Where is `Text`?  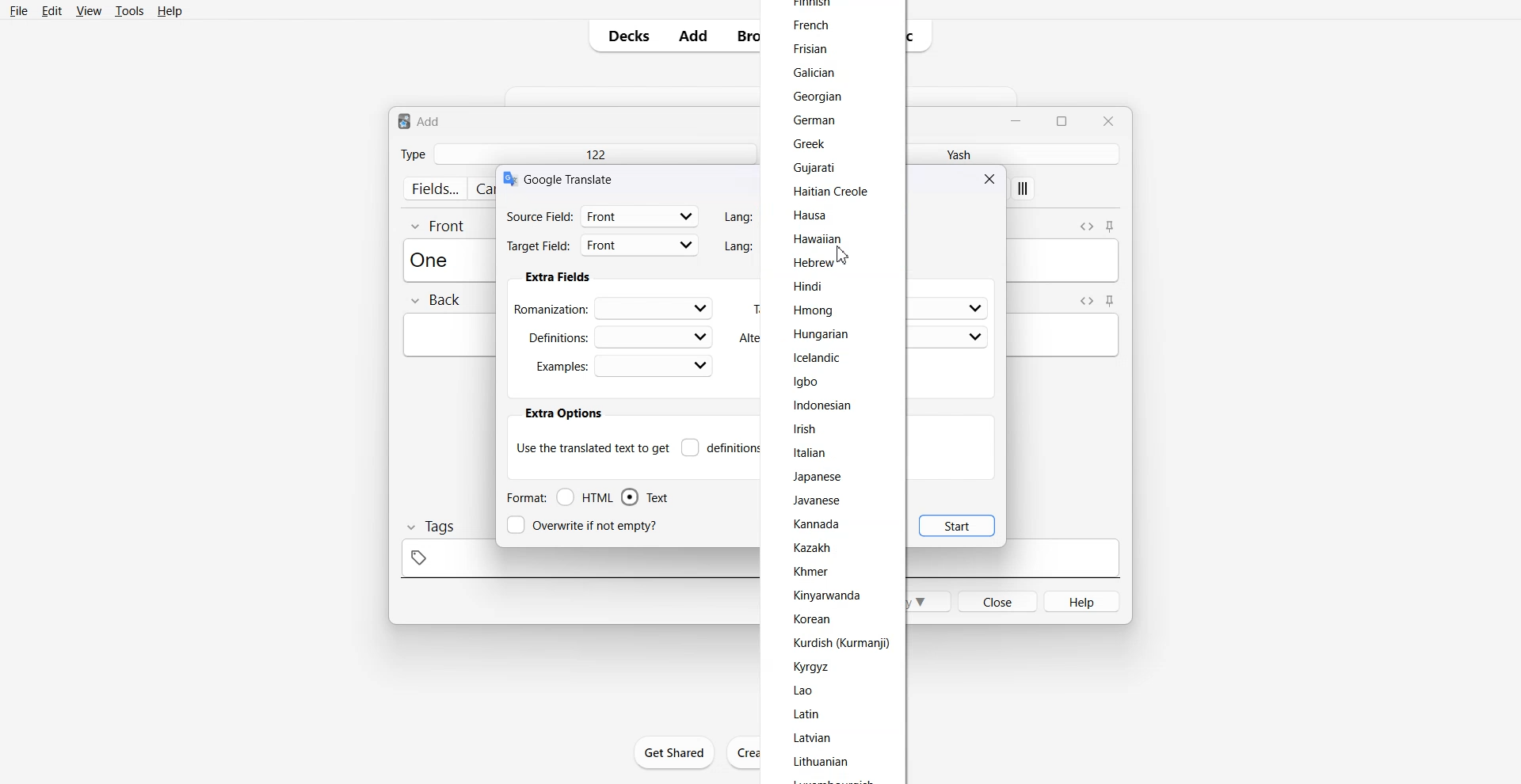
Text is located at coordinates (420, 120).